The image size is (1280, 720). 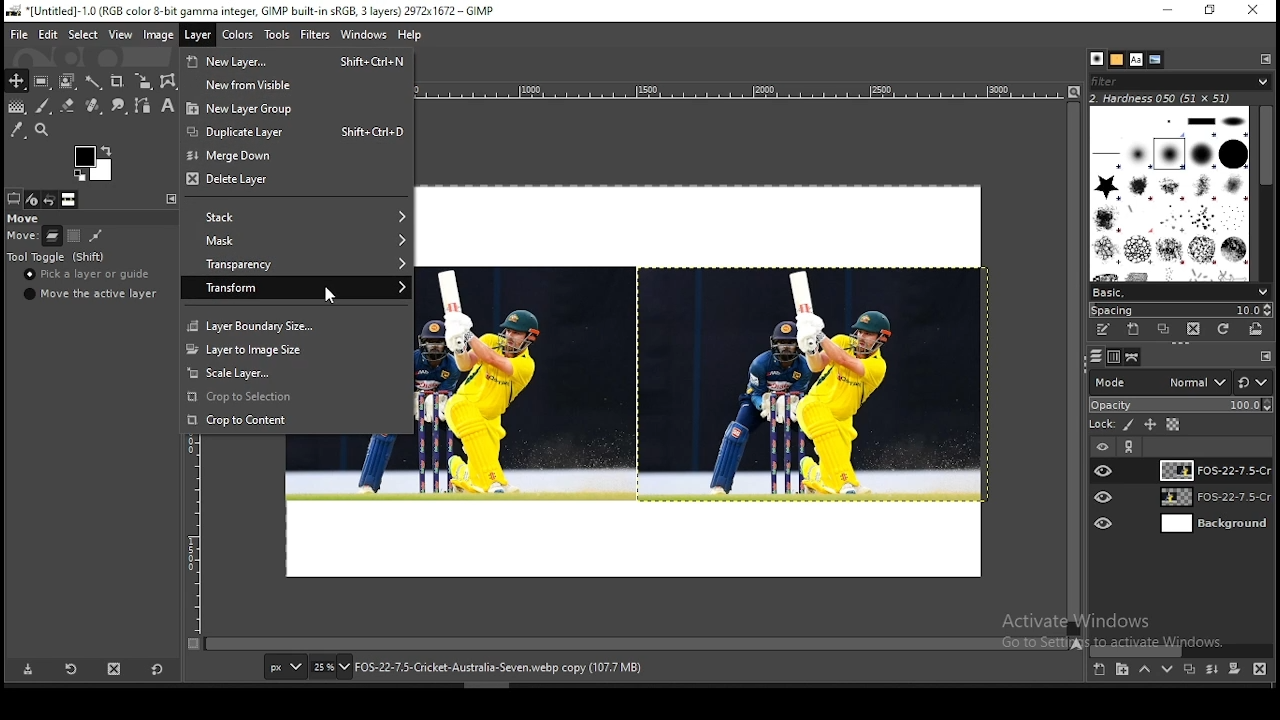 What do you see at coordinates (93, 163) in the screenshot?
I see `colors` at bounding box center [93, 163].